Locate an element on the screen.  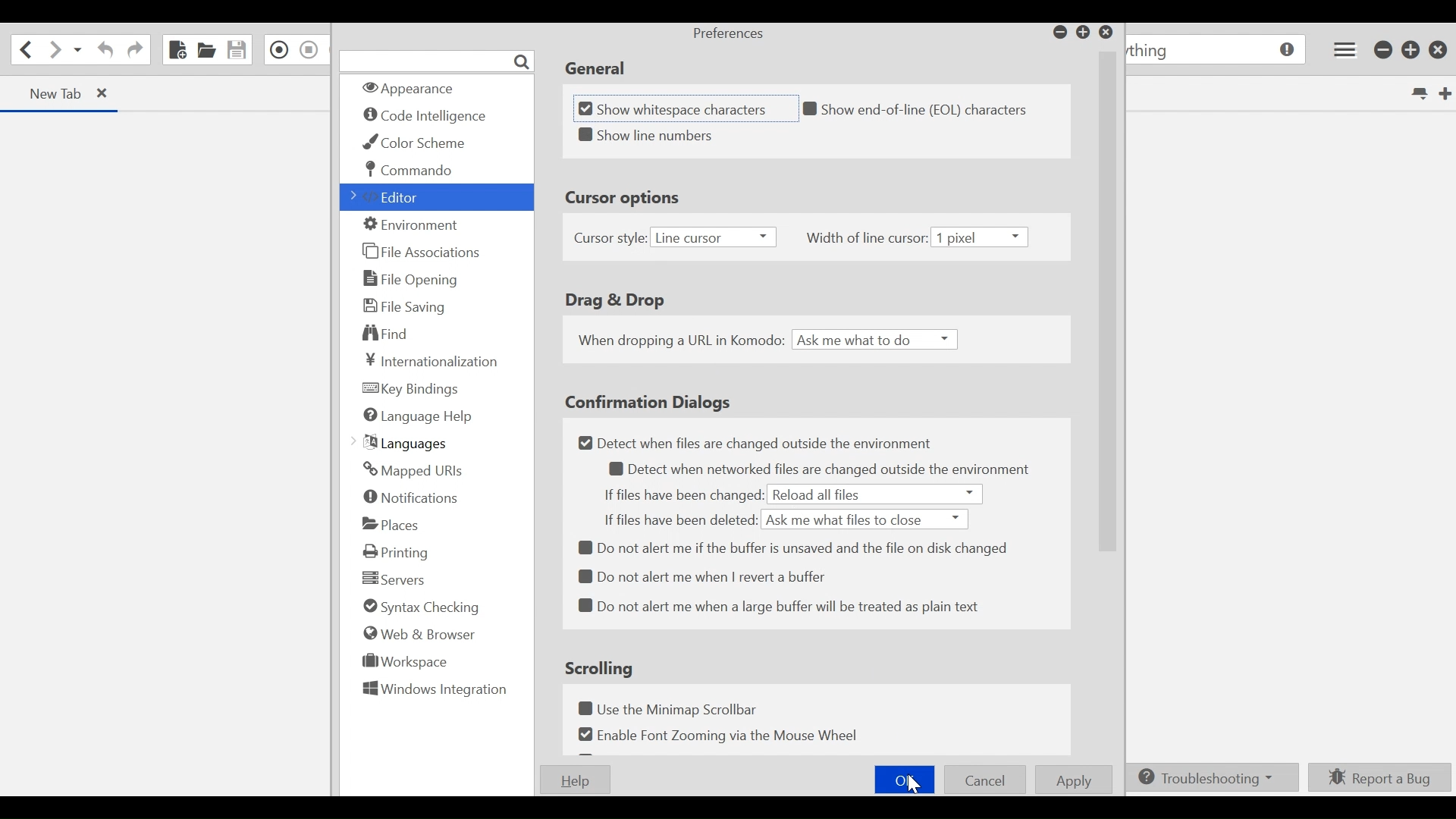
Current Tab is located at coordinates (62, 95).